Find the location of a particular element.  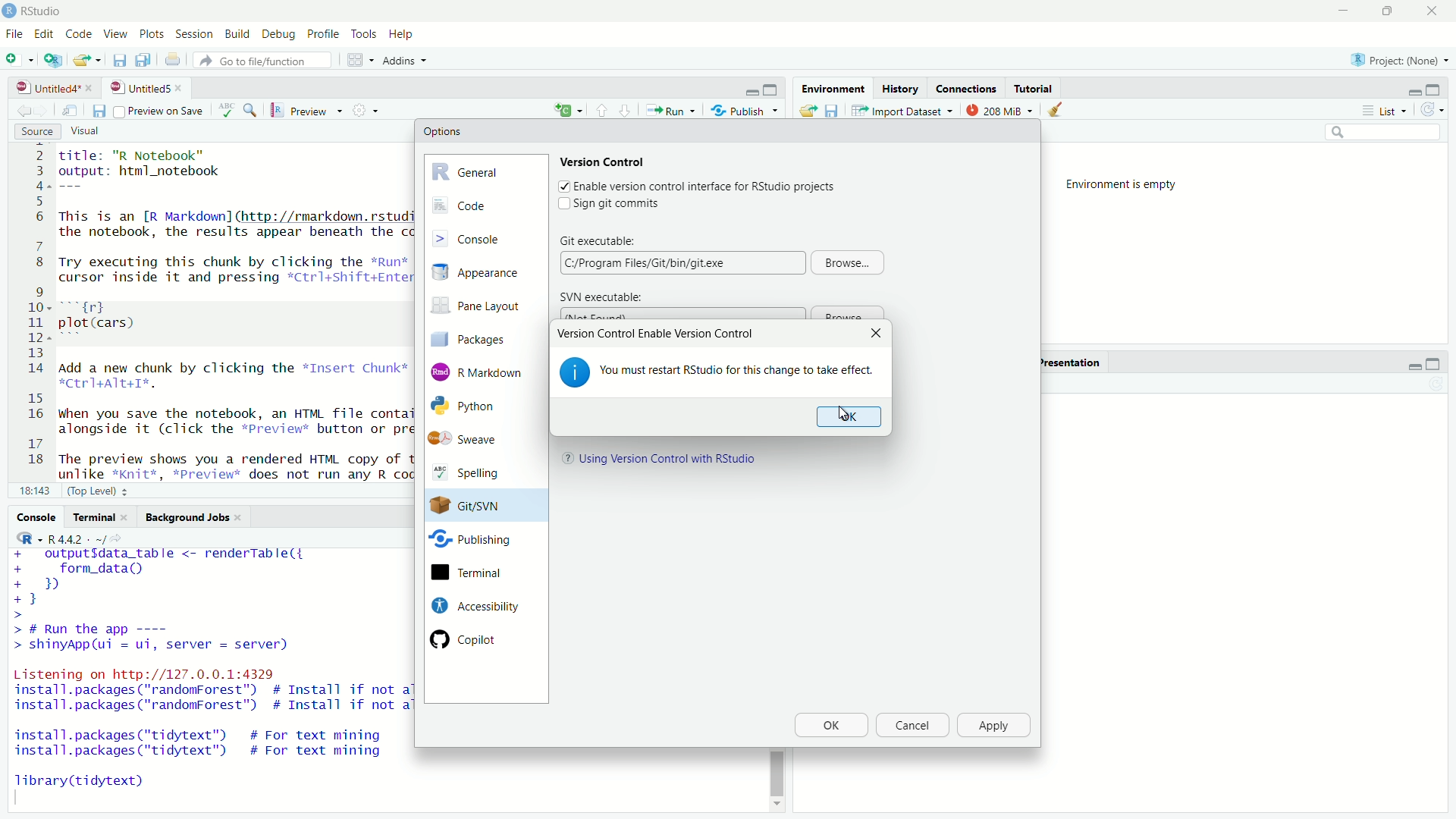

Help is located at coordinates (403, 35).